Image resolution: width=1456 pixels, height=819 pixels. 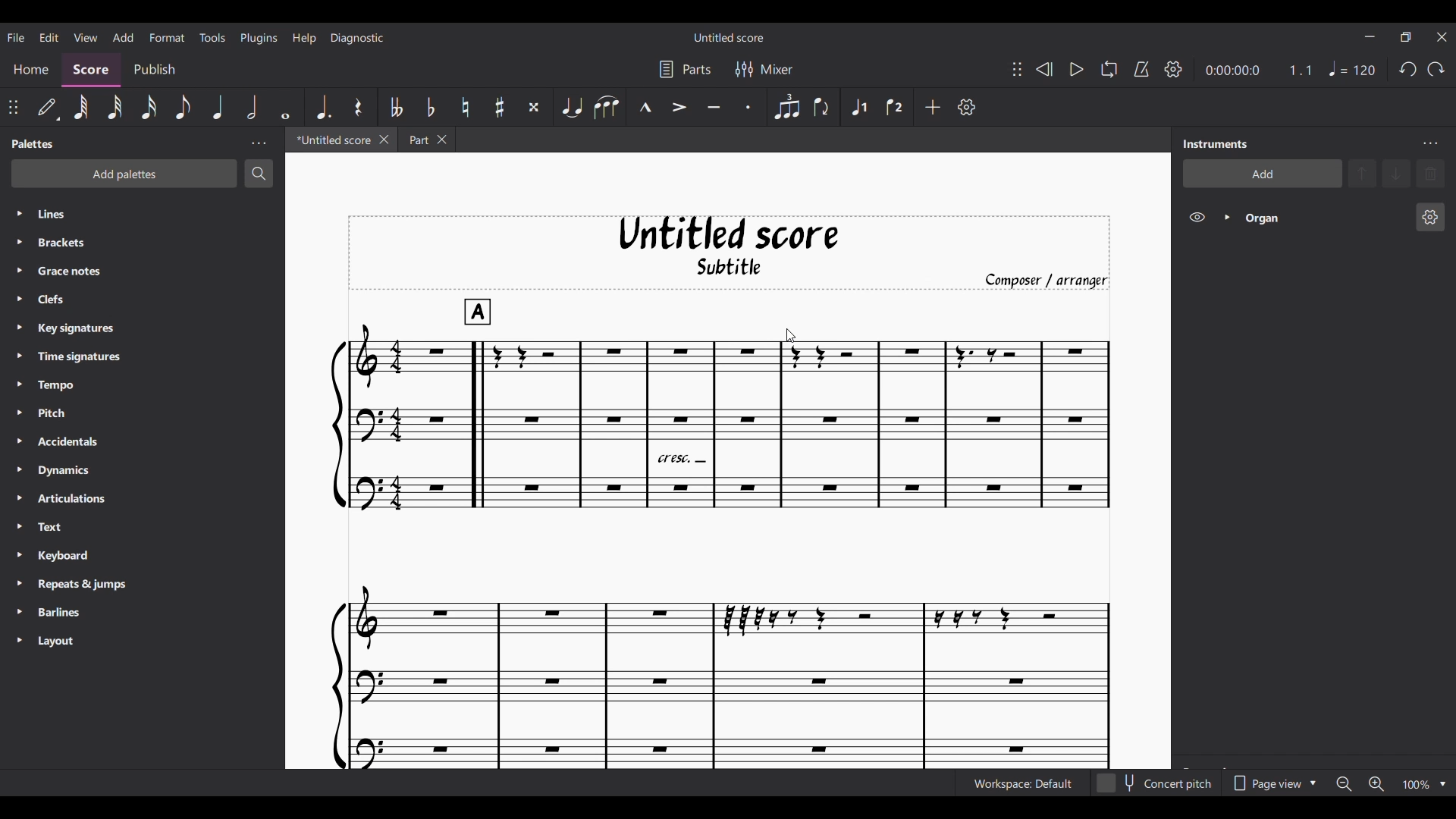 What do you see at coordinates (303, 38) in the screenshot?
I see `Help menu` at bounding box center [303, 38].